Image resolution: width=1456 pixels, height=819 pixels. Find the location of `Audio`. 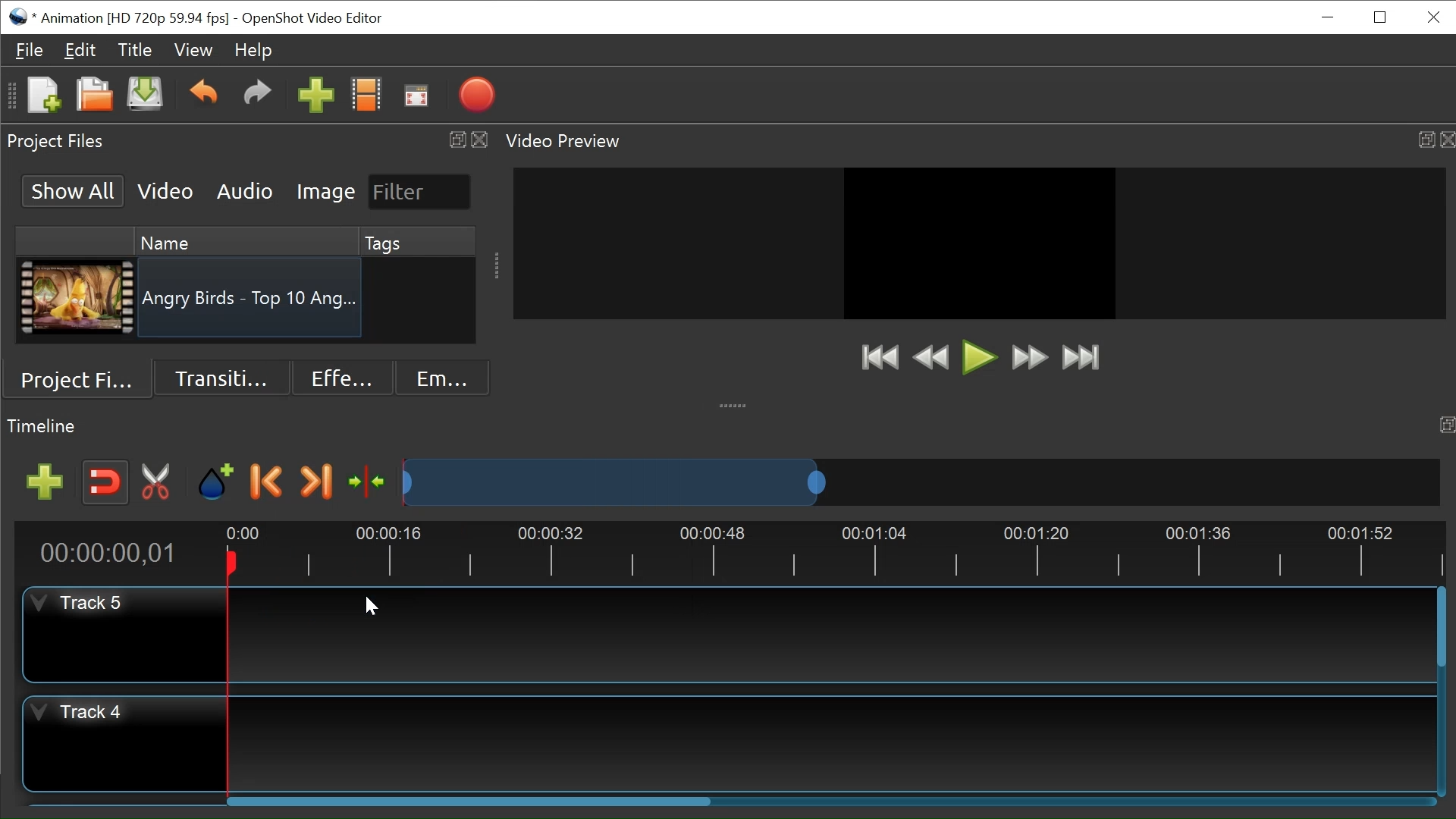

Audio is located at coordinates (246, 192).